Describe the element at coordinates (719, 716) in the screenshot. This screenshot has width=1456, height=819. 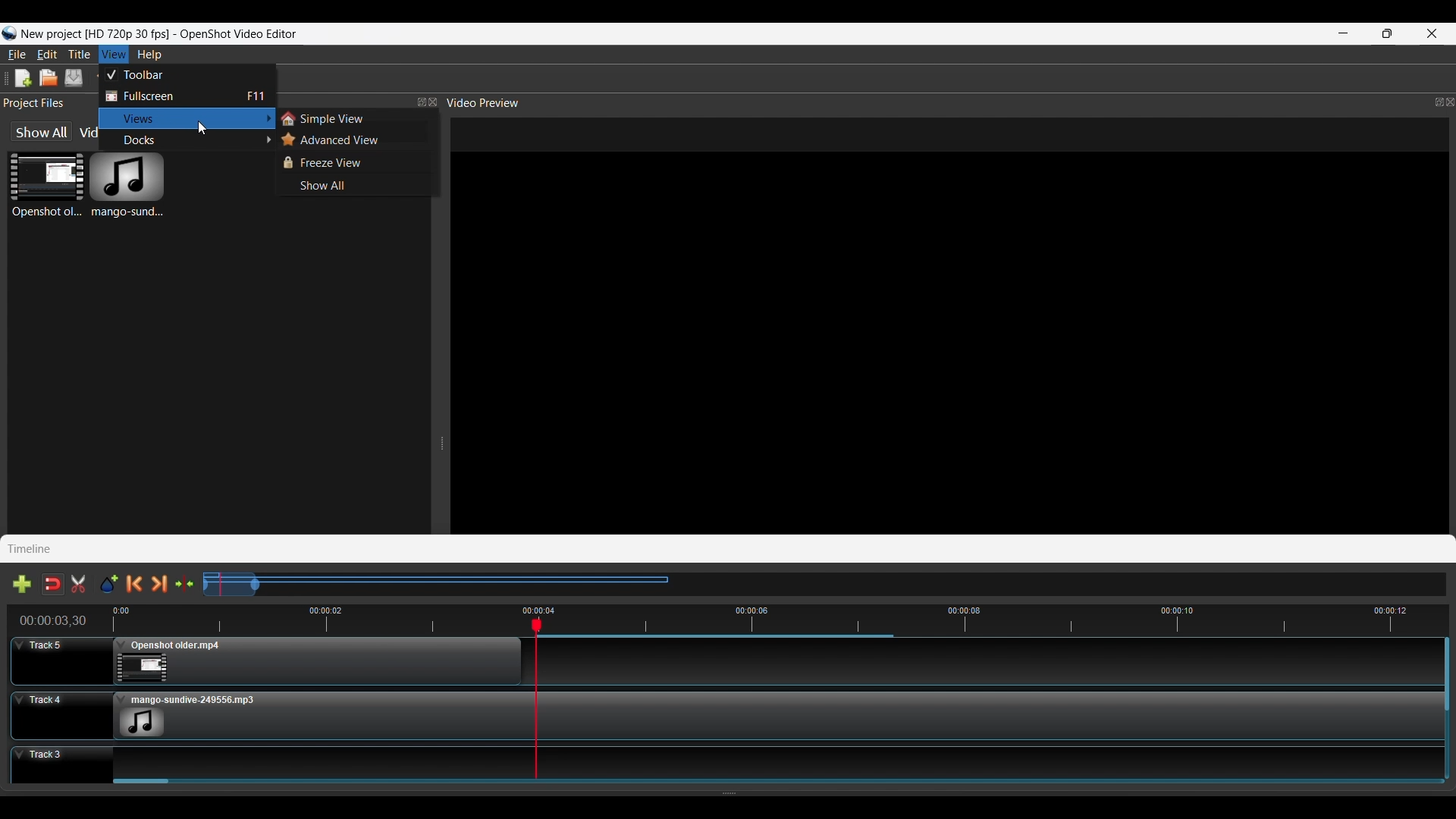
I see `Track 4` at that location.